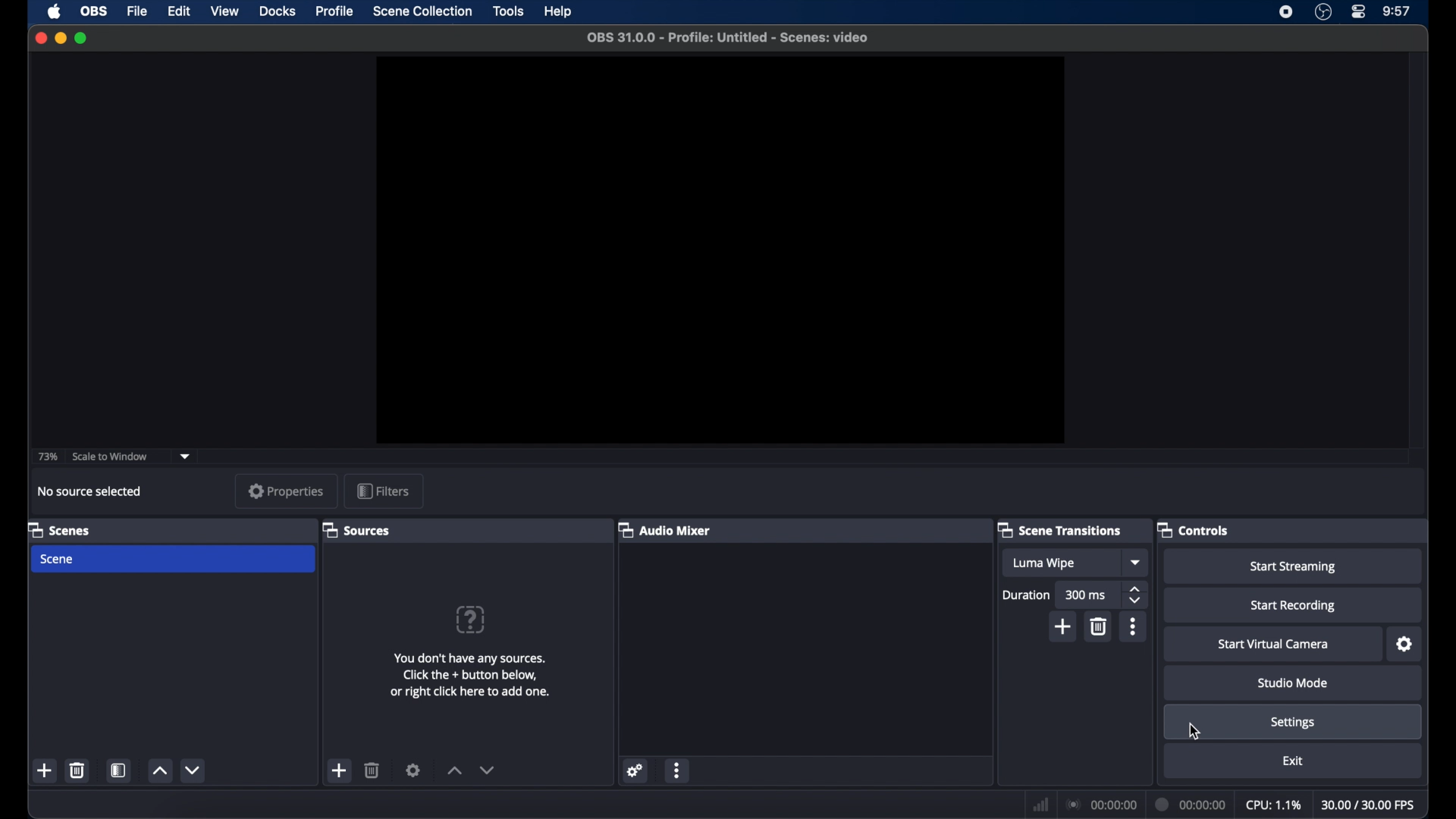 This screenshot has width=1456, height=819. I want to click on start streaming, so click(1296, 567).